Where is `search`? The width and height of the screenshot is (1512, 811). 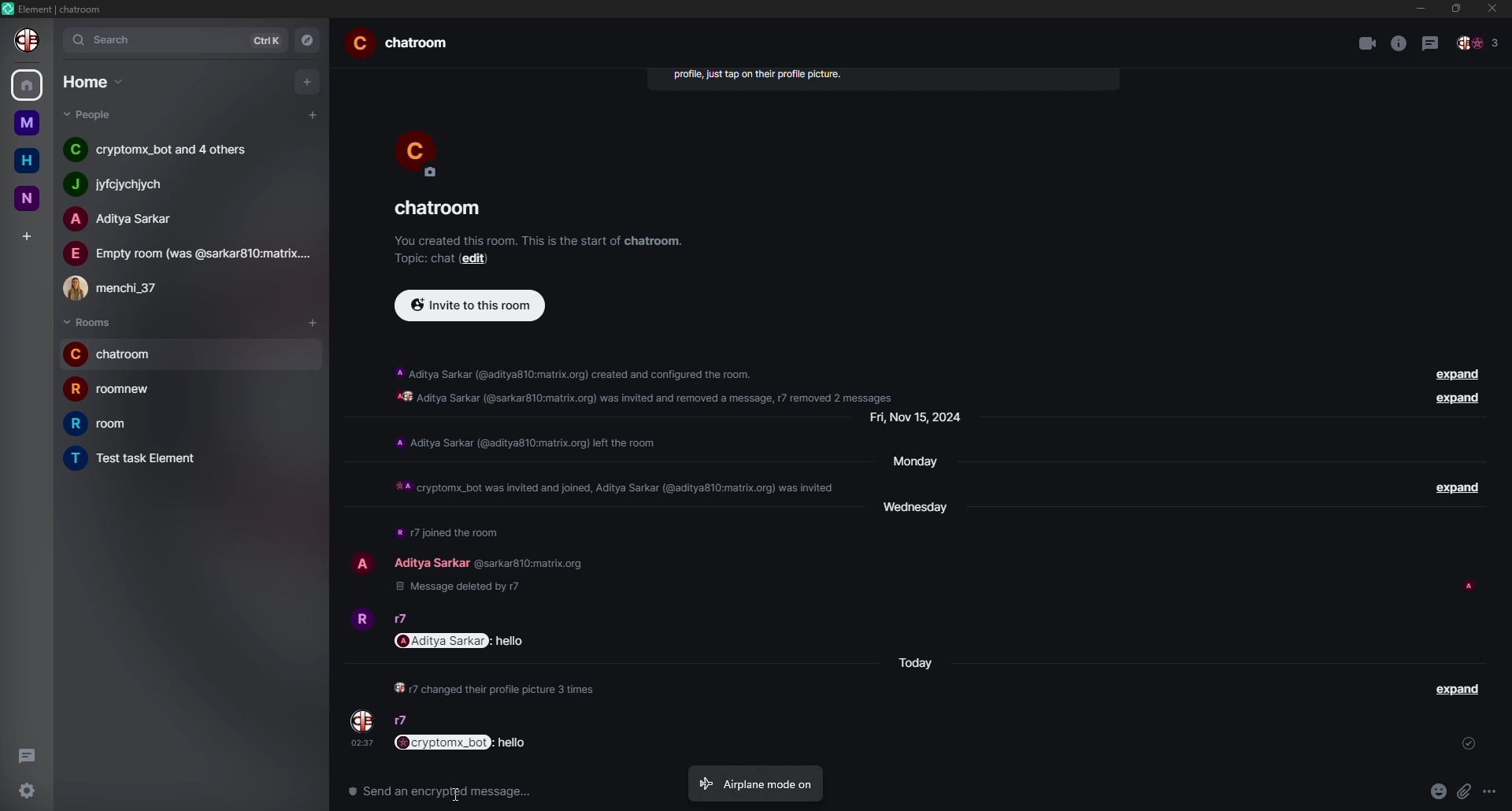 search is located at coordinates (114, 39).